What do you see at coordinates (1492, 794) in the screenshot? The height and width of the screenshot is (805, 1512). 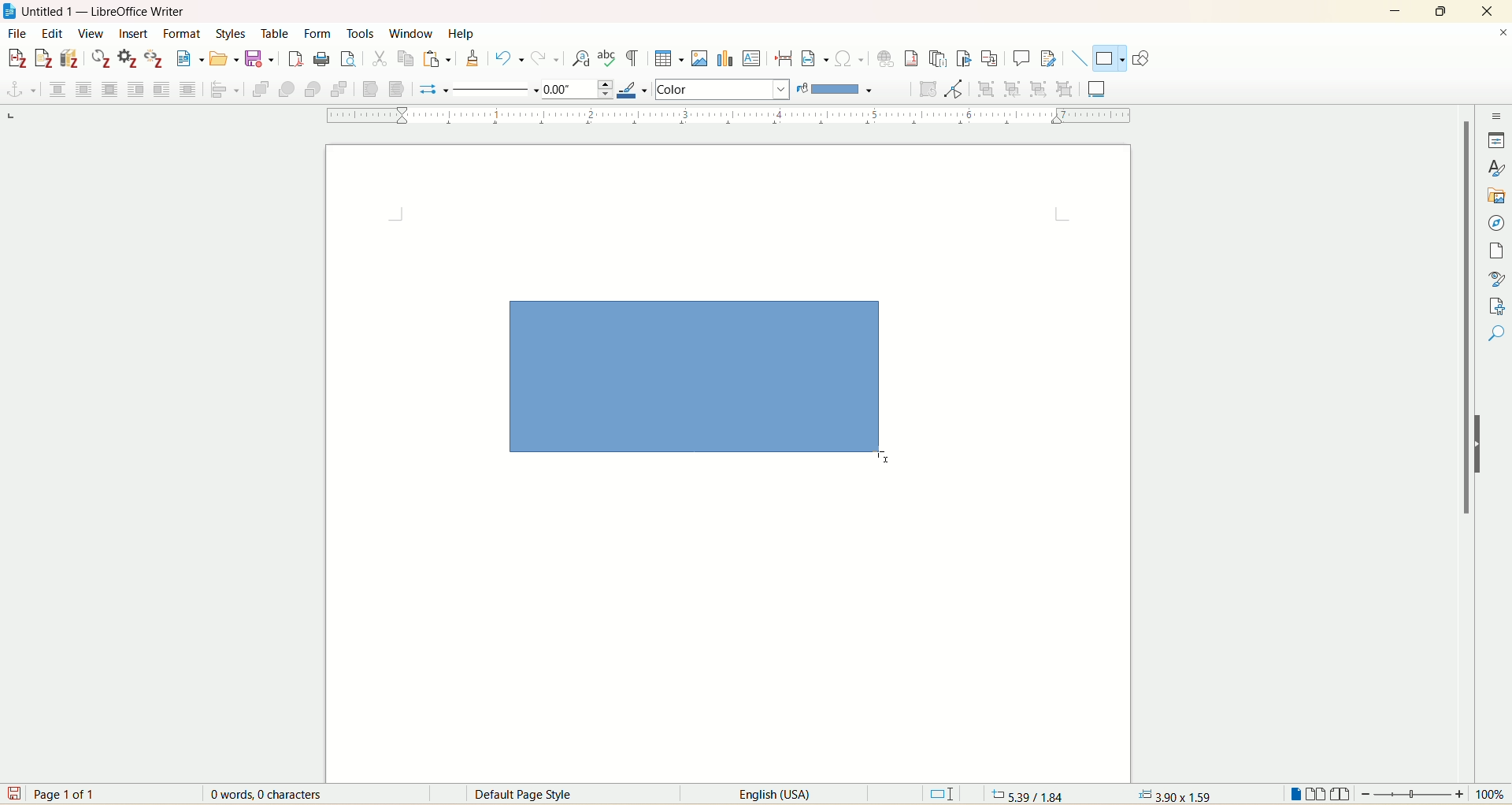 I see `zoom percent` at bounding box center [1492, 794].